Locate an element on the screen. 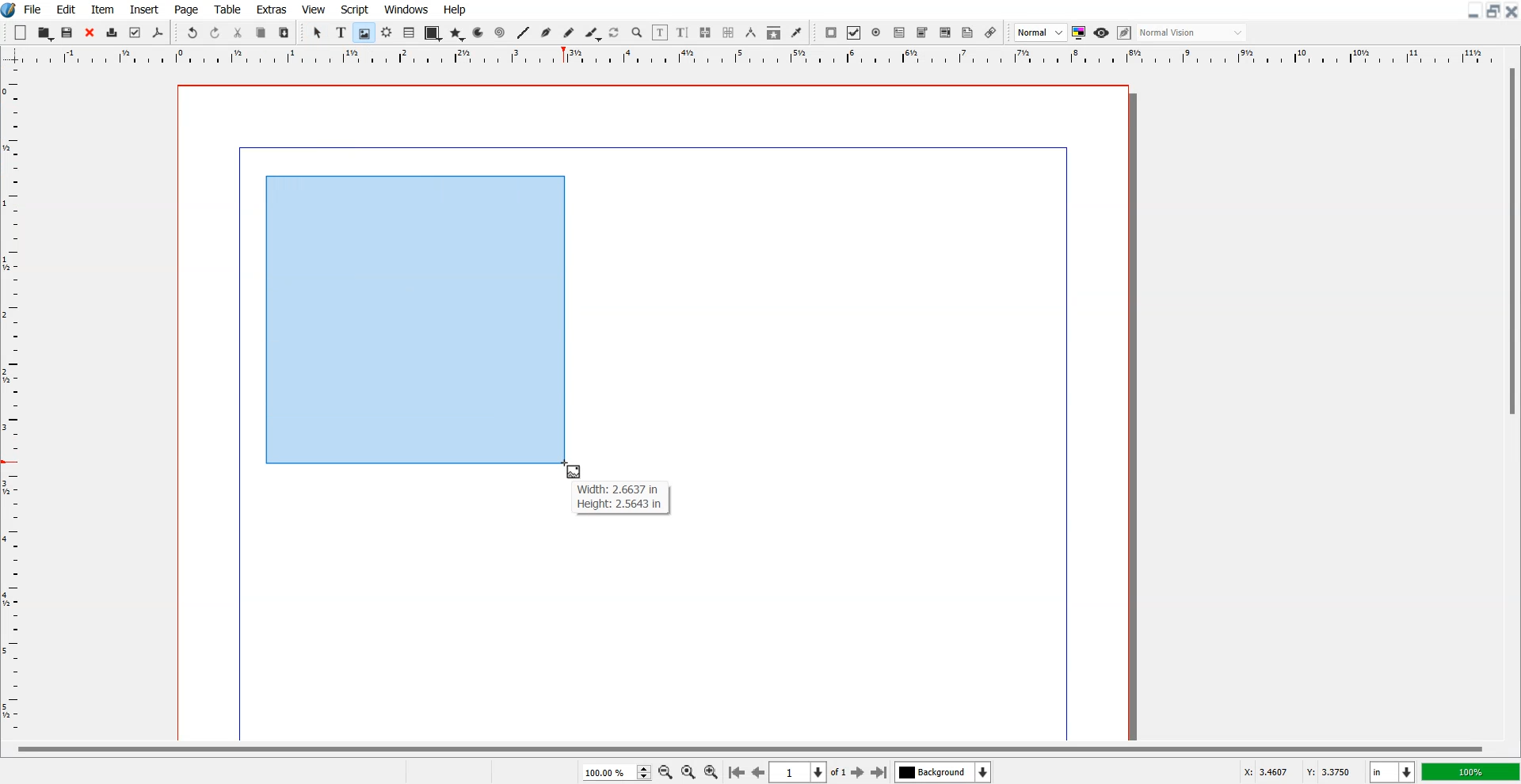  Bezier Curve is located at coordinates (546, 32).